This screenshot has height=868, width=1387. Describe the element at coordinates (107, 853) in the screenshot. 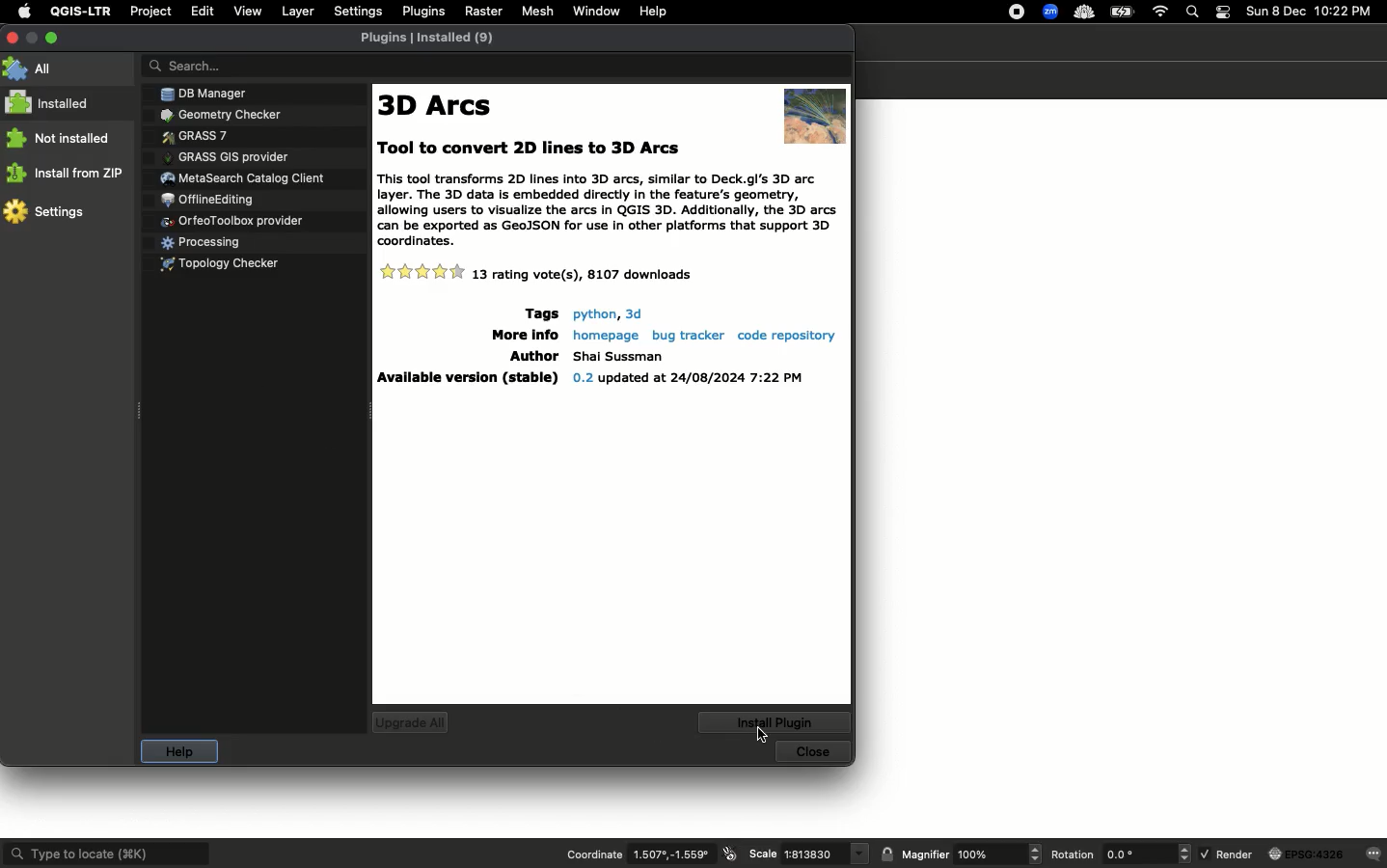

I see `Type to locate` at that location.